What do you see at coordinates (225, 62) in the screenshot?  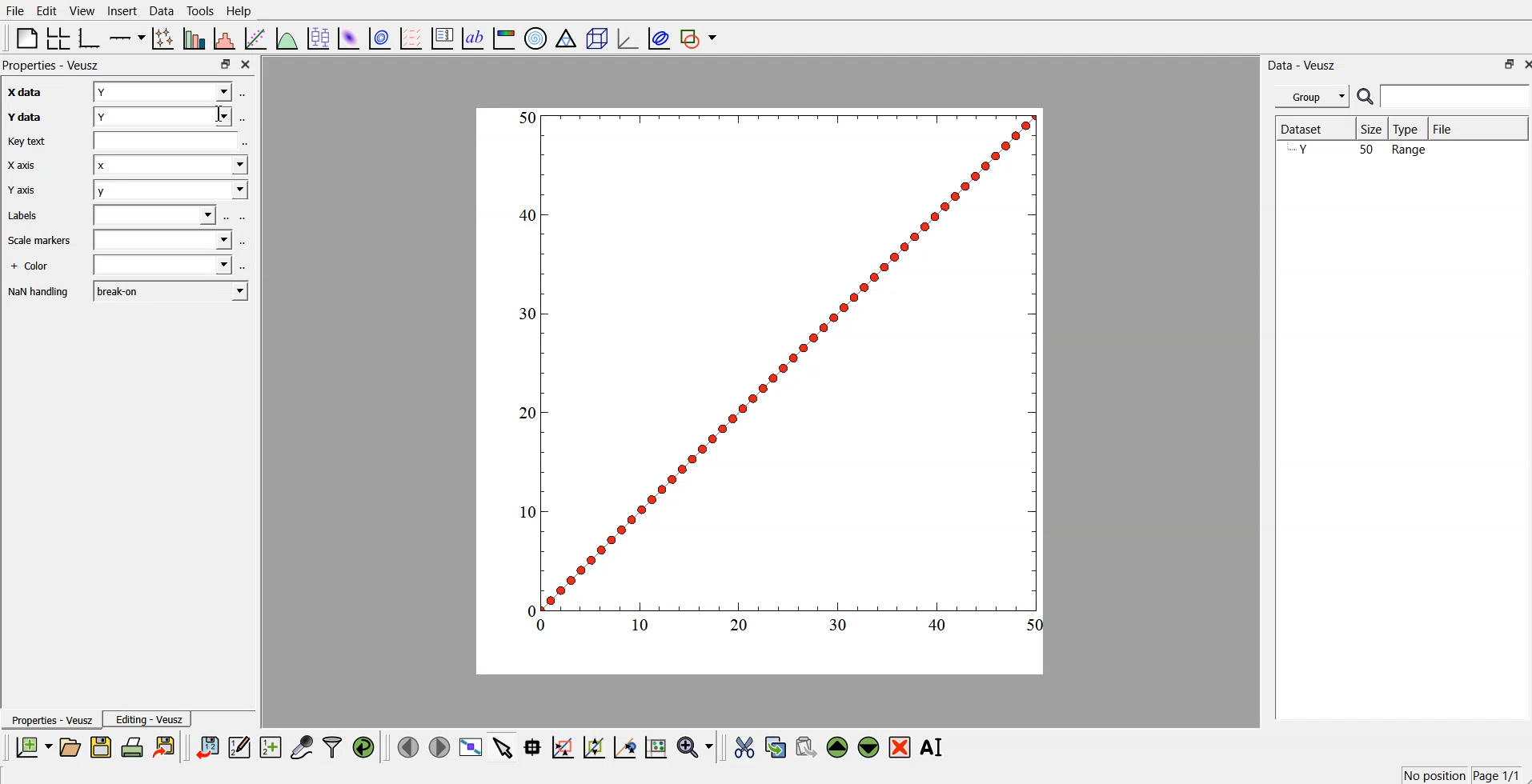 I see `minimise` at bounding box center [225, 62].